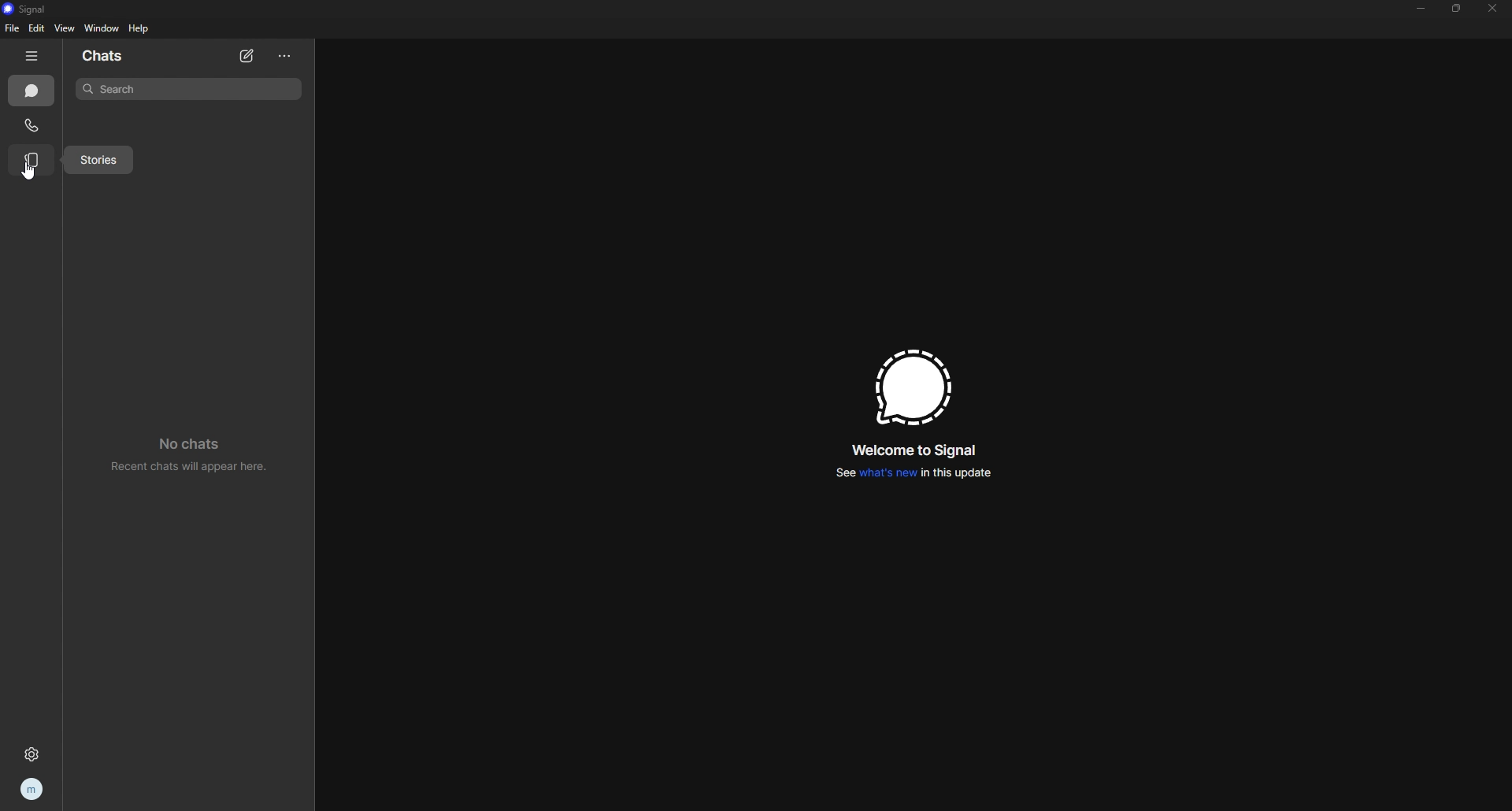 The width and height of the screenshot is (1512, 811). I want to click on cursor, so click(31, 173).